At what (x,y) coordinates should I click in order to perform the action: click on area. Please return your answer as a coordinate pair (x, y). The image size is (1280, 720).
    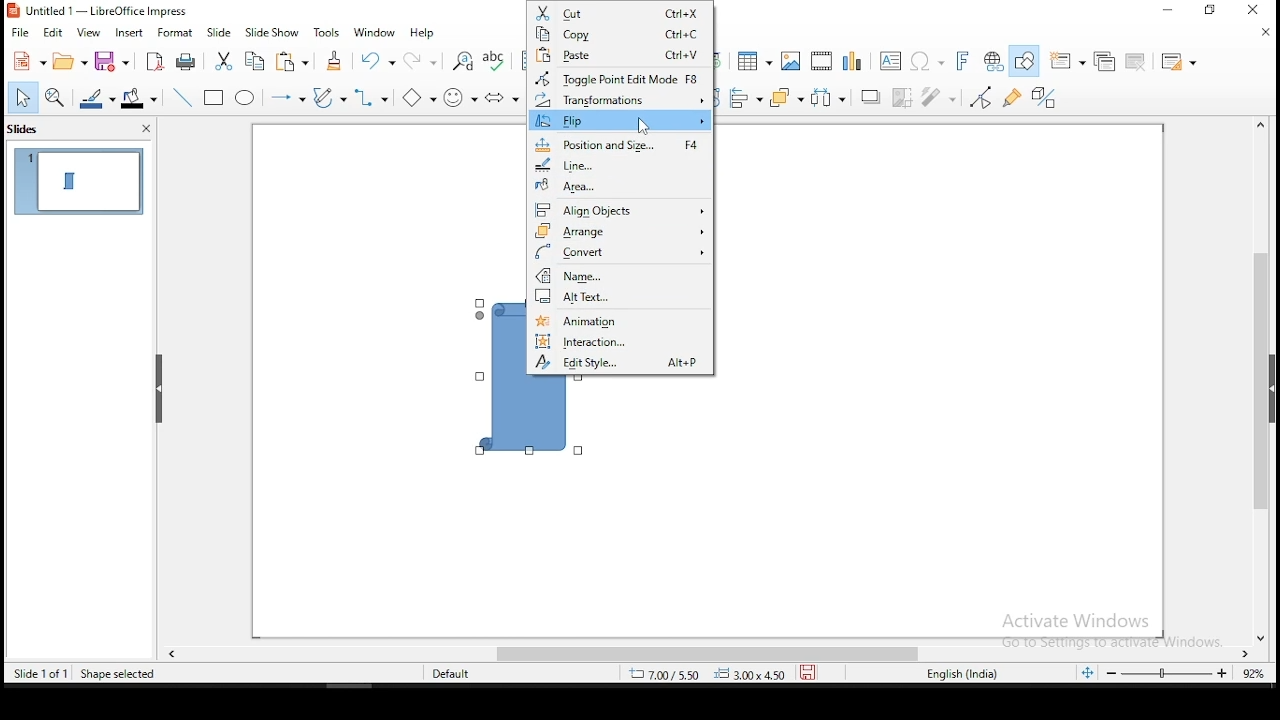
    Looking at the image, I should click on (615, 187).